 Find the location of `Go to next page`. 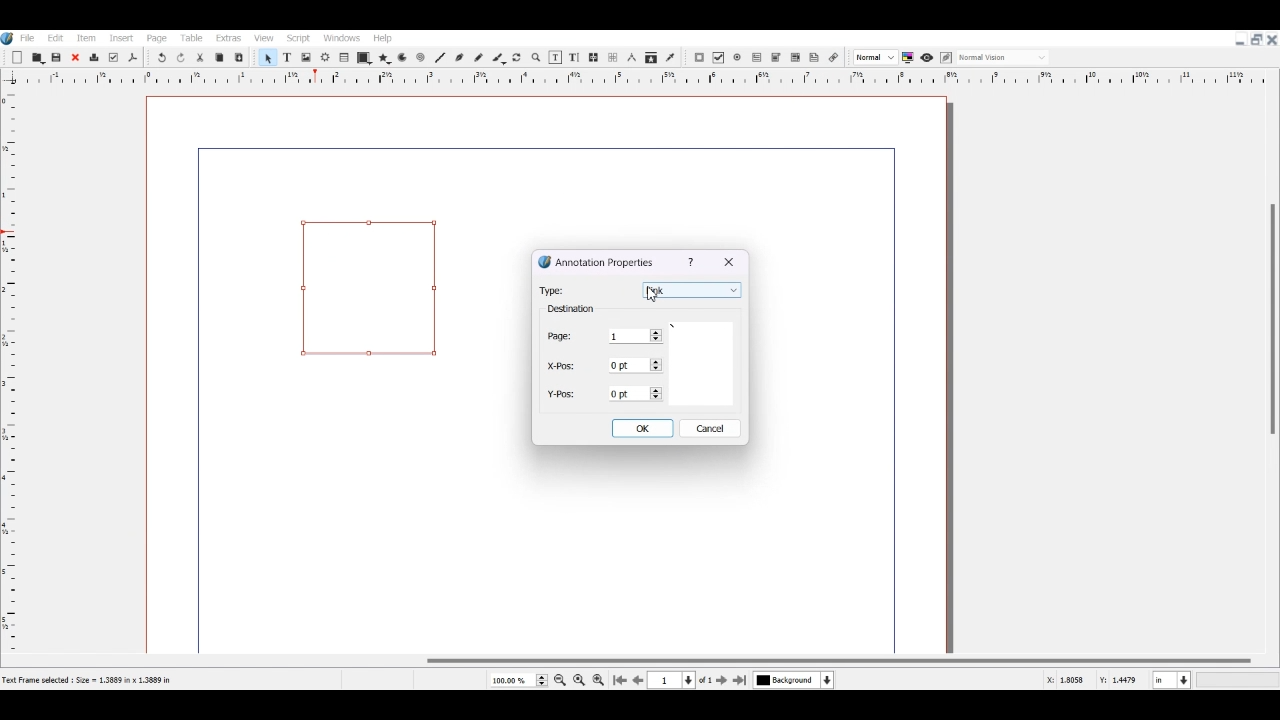

Go to next page is located at coordinates (723, 680).